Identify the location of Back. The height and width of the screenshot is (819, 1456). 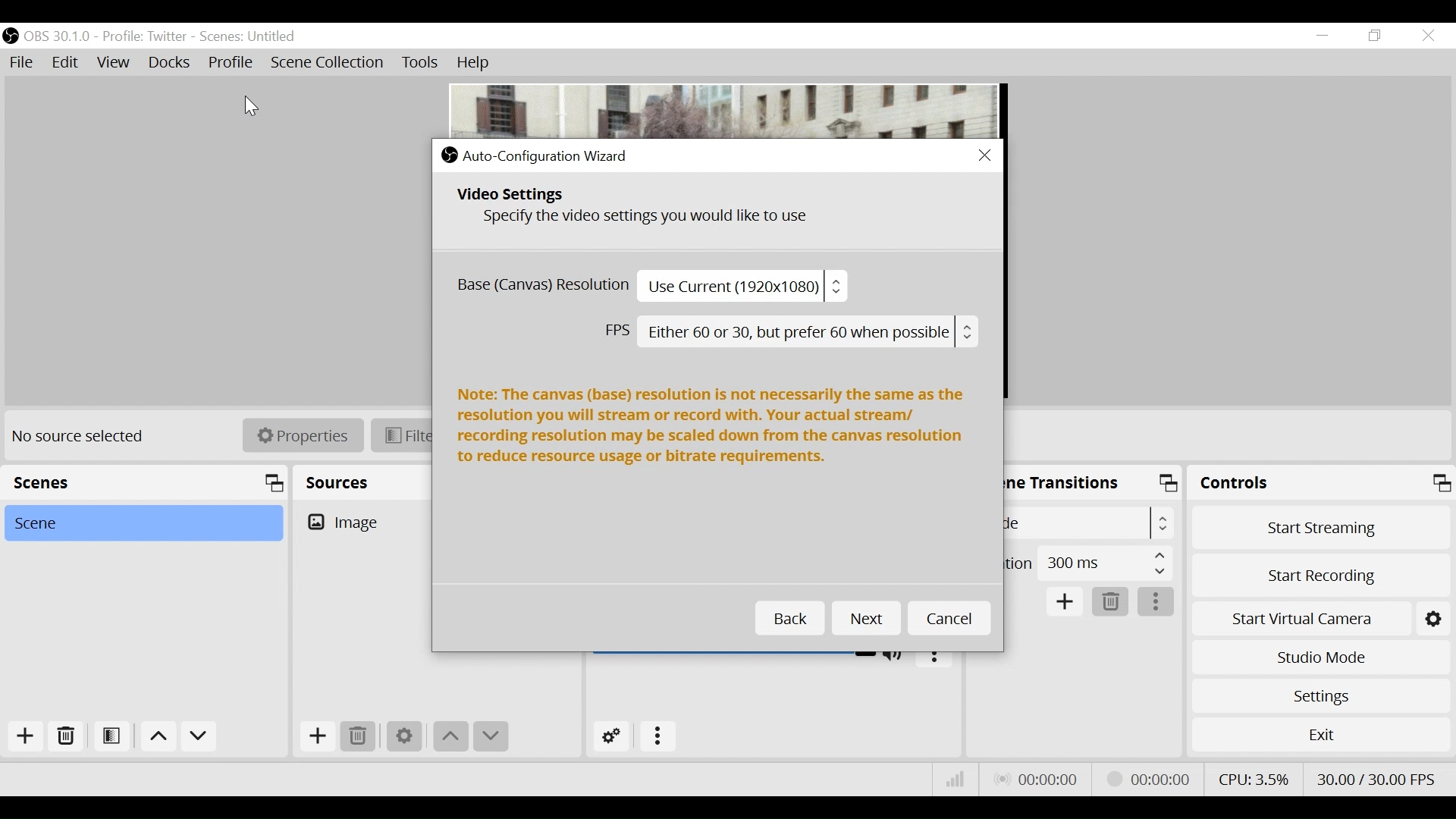
(789, 619).